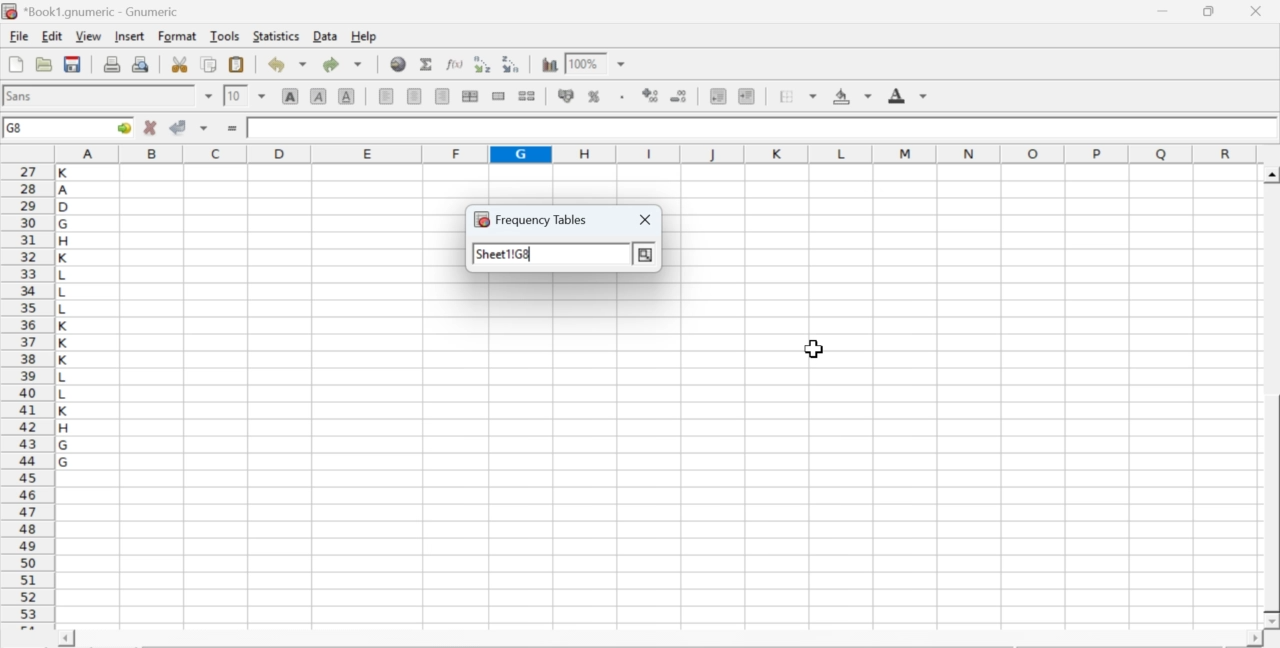 The image size is (1280, 648). I want to click on foreground, so click(908, 95).